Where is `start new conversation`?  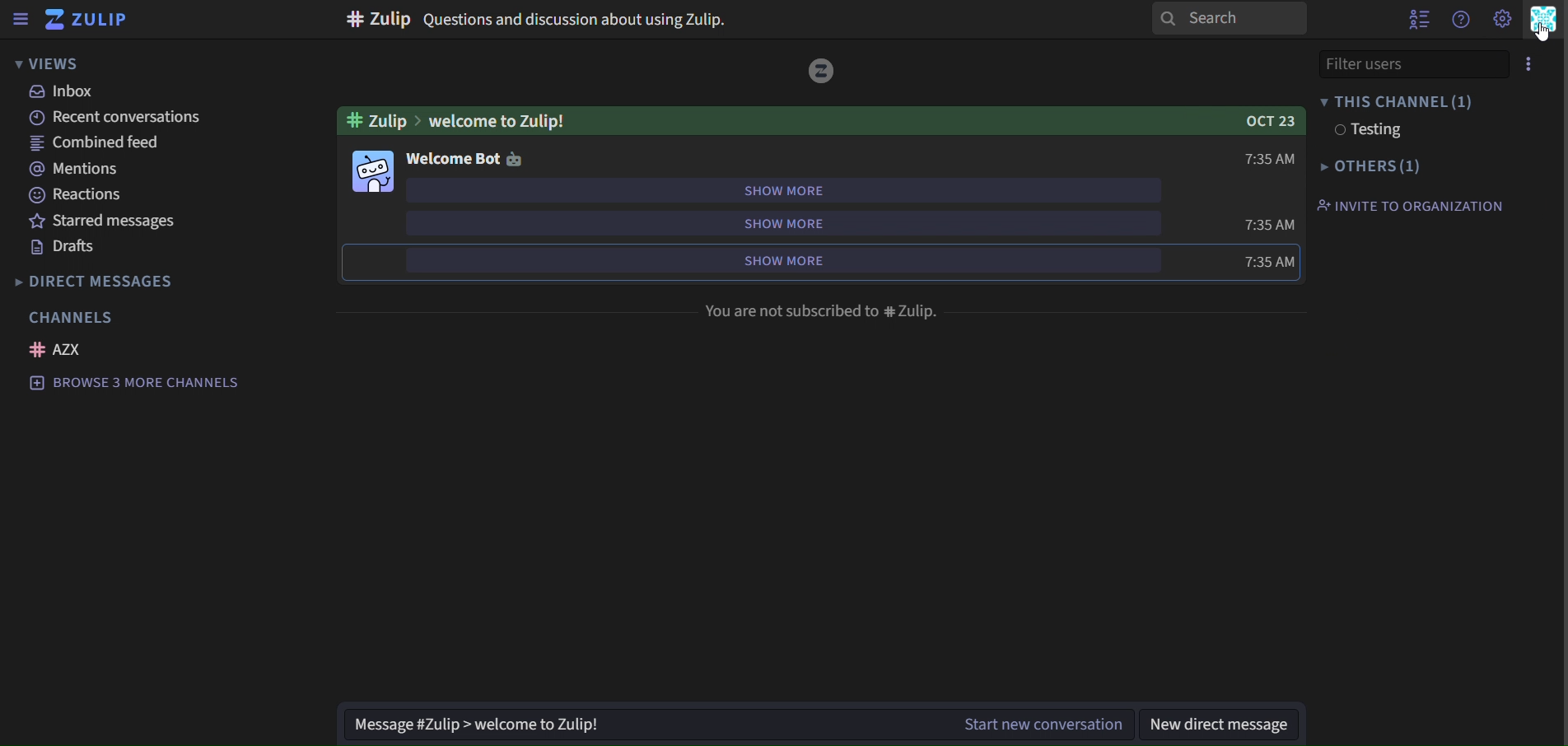
start new conversation is located at coordinates (1037, 723).